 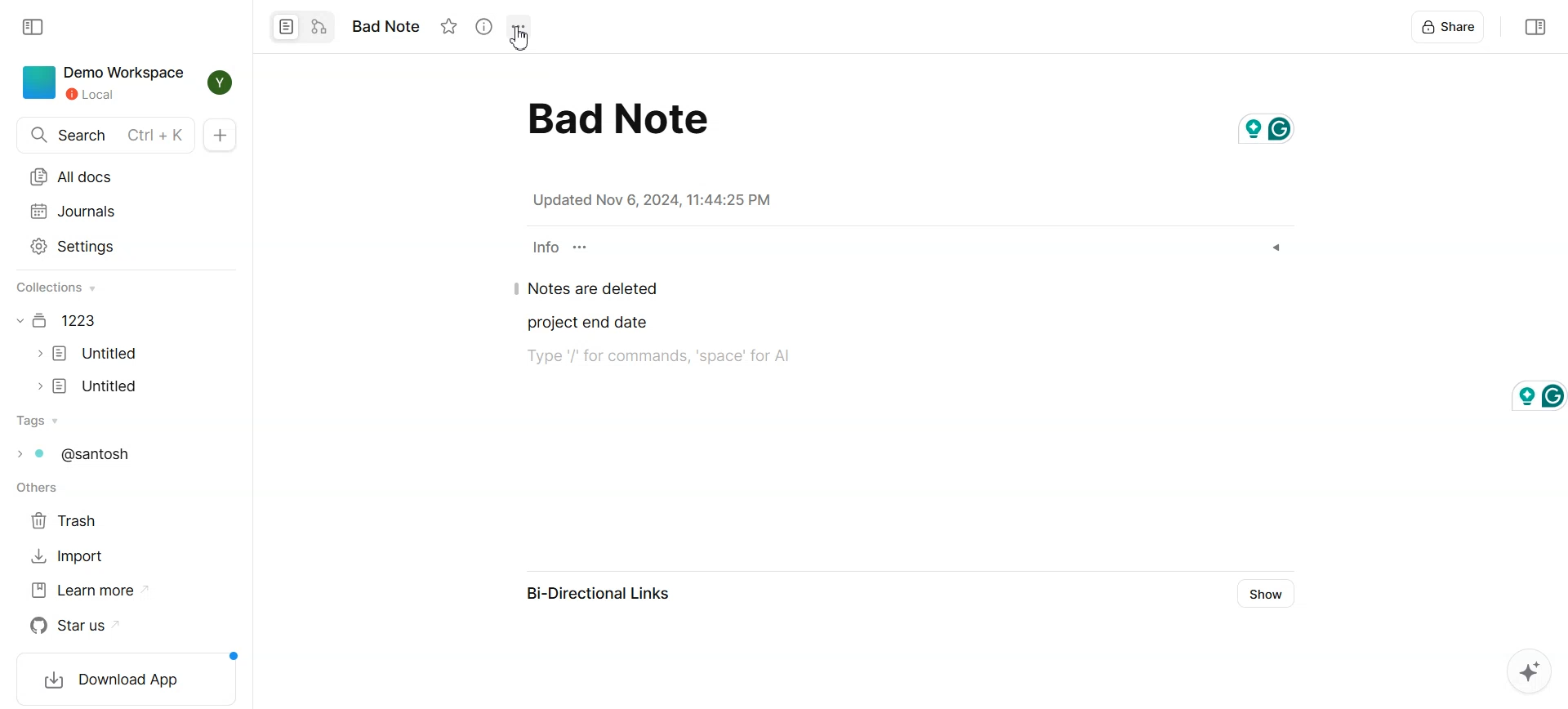 I want to click on note name, so click(x=393, y=26).